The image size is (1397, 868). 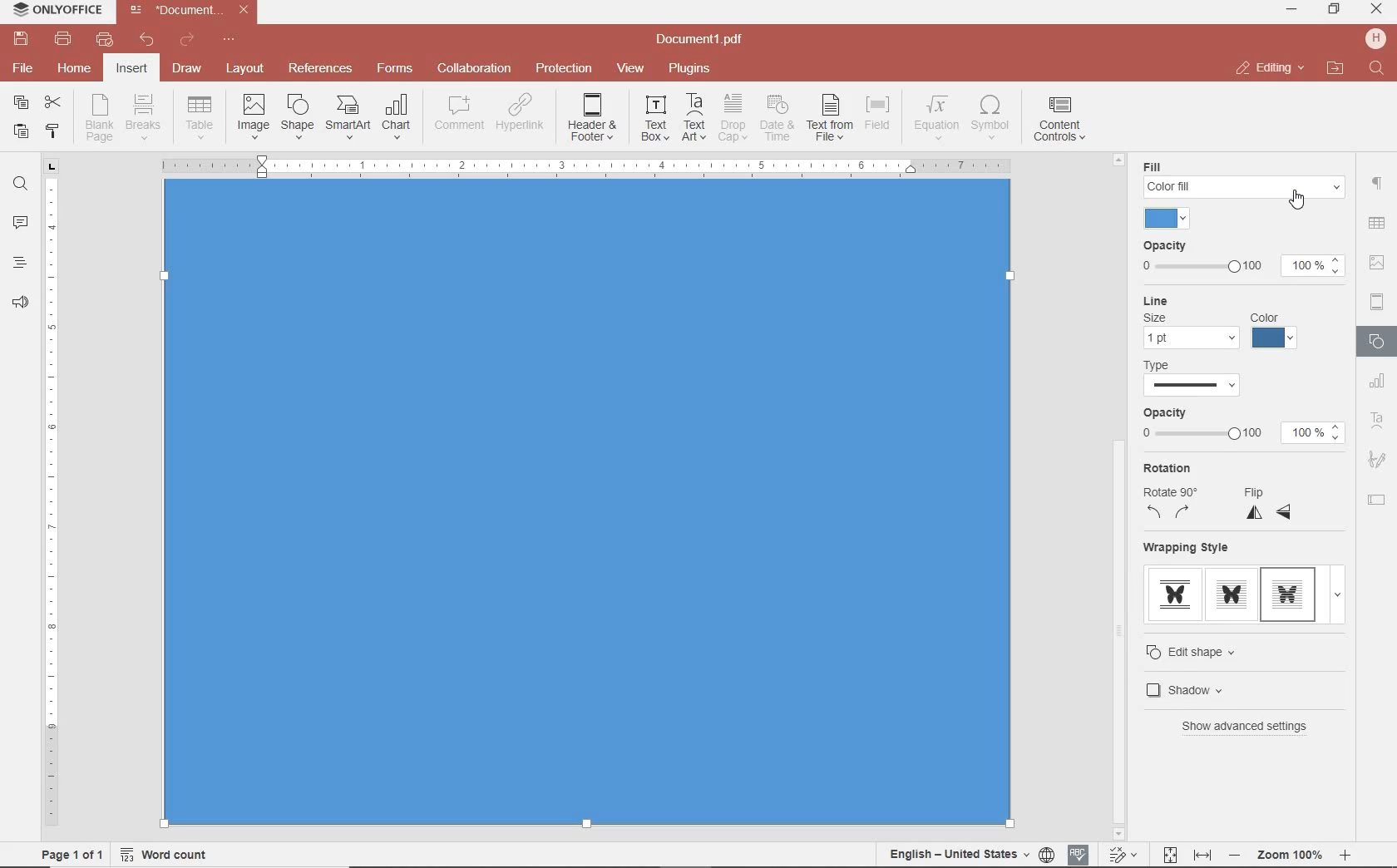 I want to click on home, so click(x=72, y=67).